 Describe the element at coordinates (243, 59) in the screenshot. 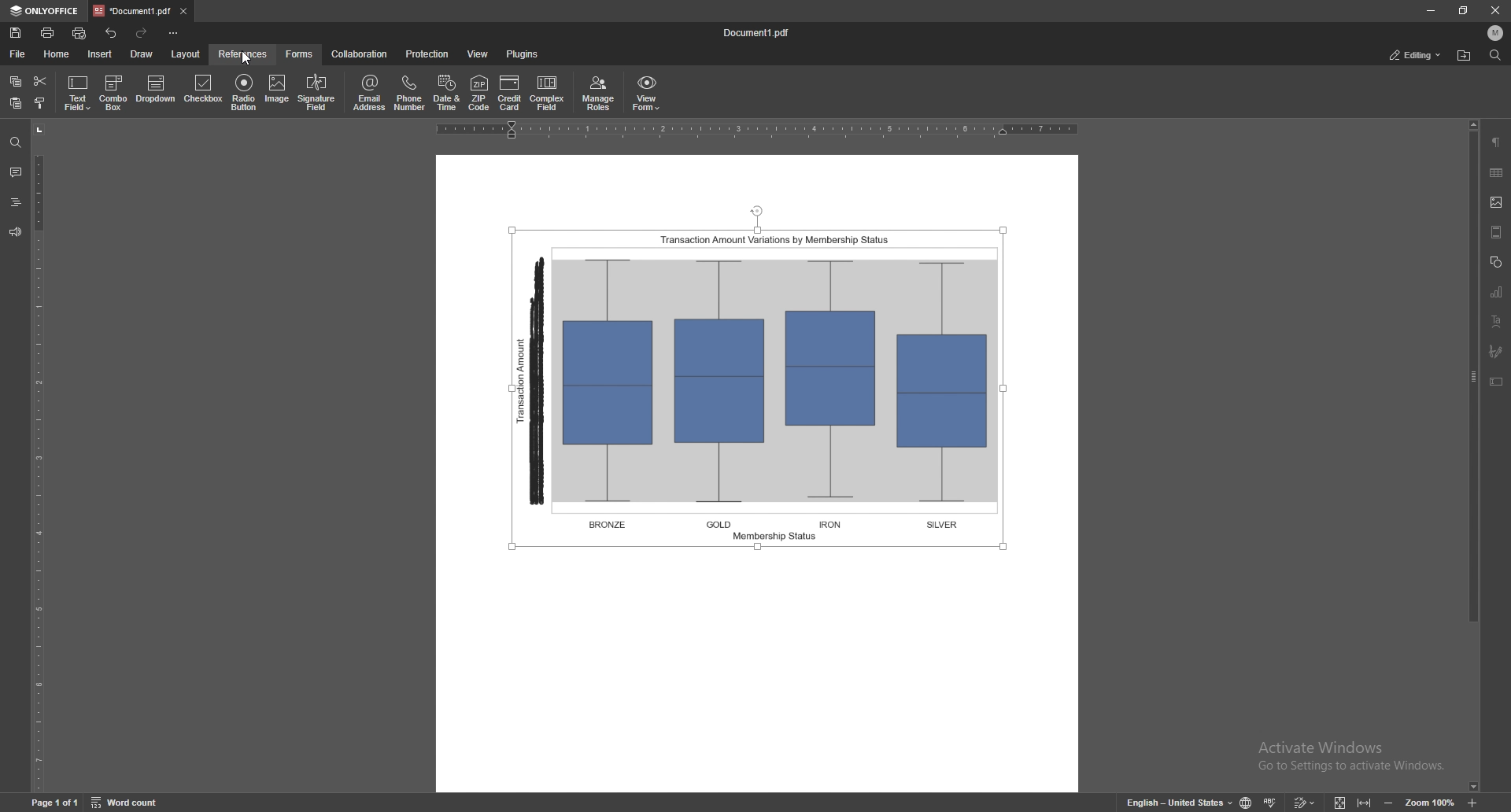

I see `cursor` at that location.